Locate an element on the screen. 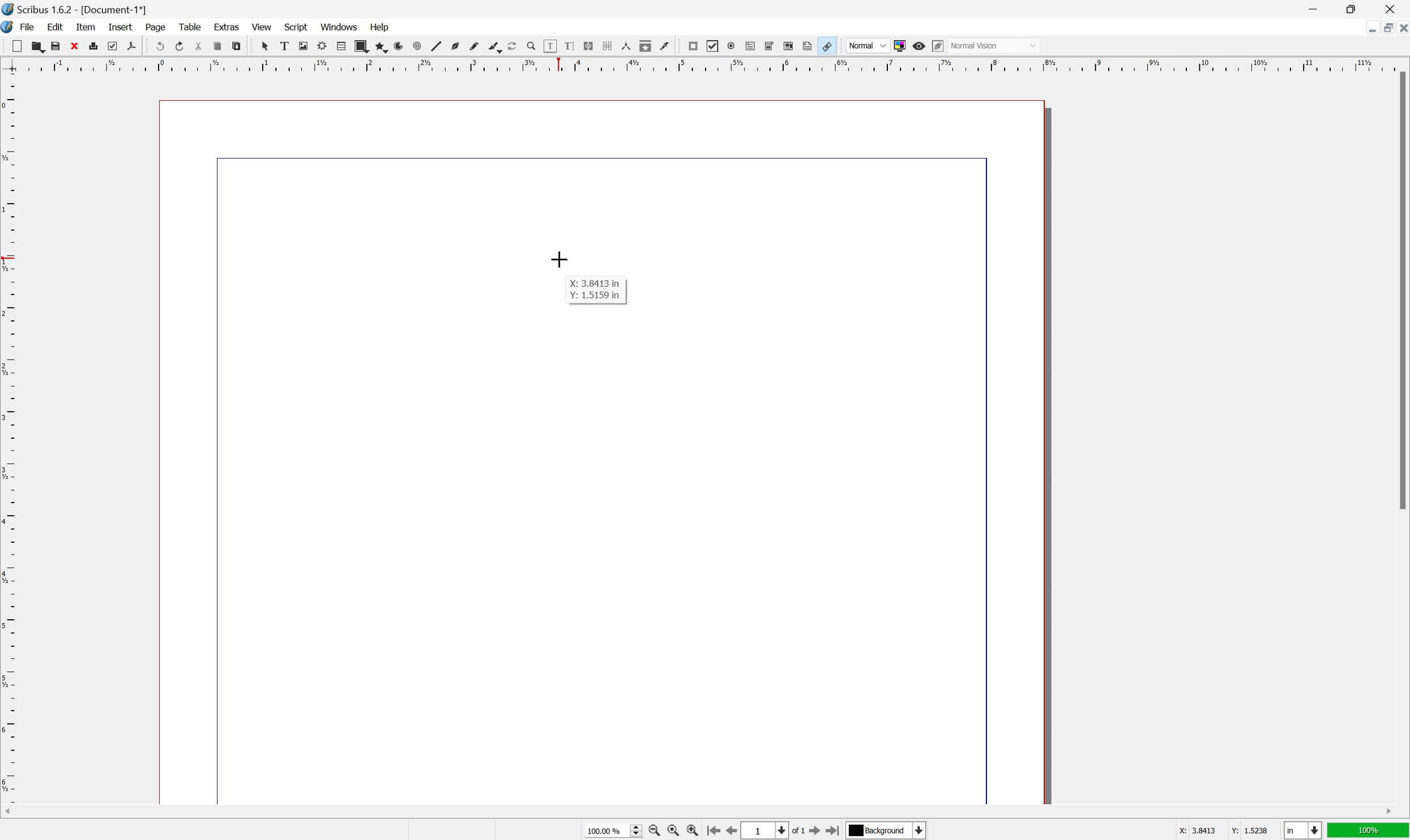 This screenshot has height=840, width=1410. close is located at coordinates (74, 46).